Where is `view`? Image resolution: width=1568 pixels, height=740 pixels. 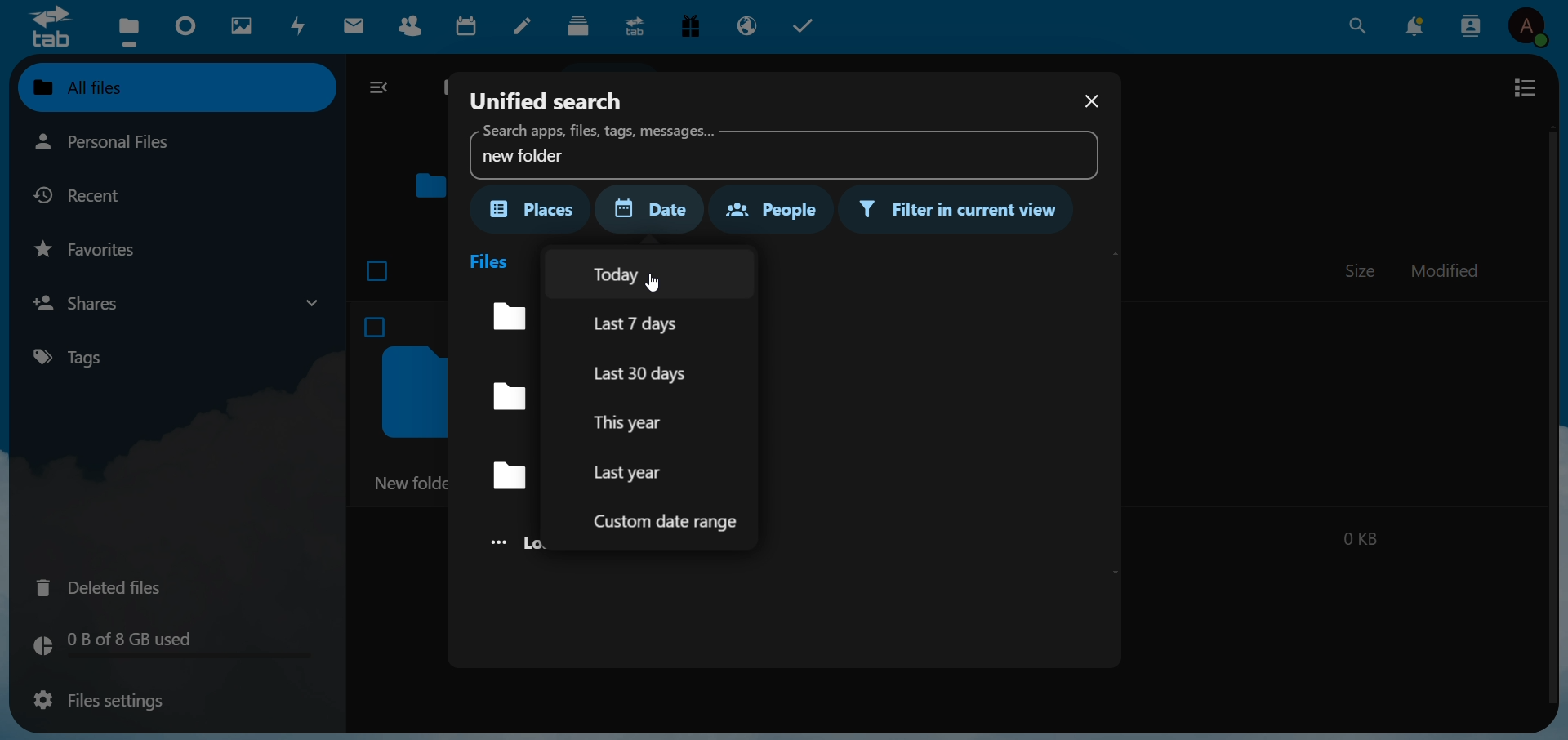 view is located at coordinates (1525, 87).